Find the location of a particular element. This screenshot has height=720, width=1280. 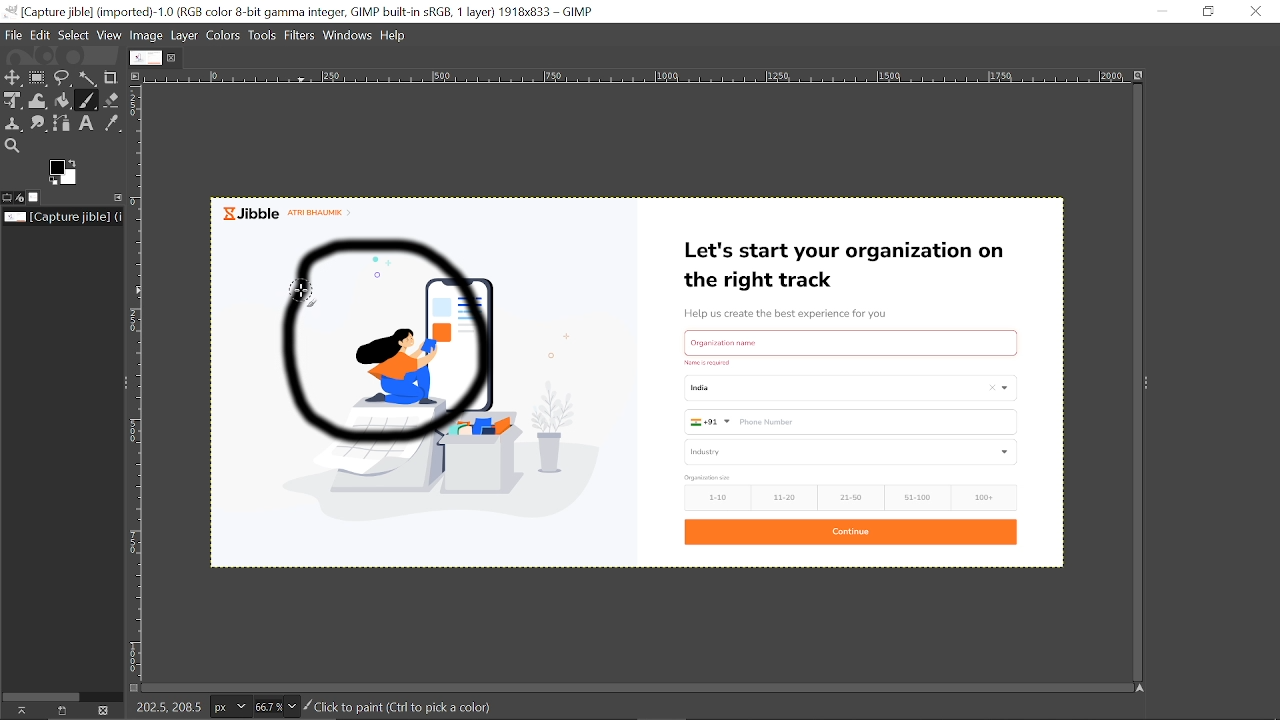

Access this image menu is located at coordinates (138, 75).